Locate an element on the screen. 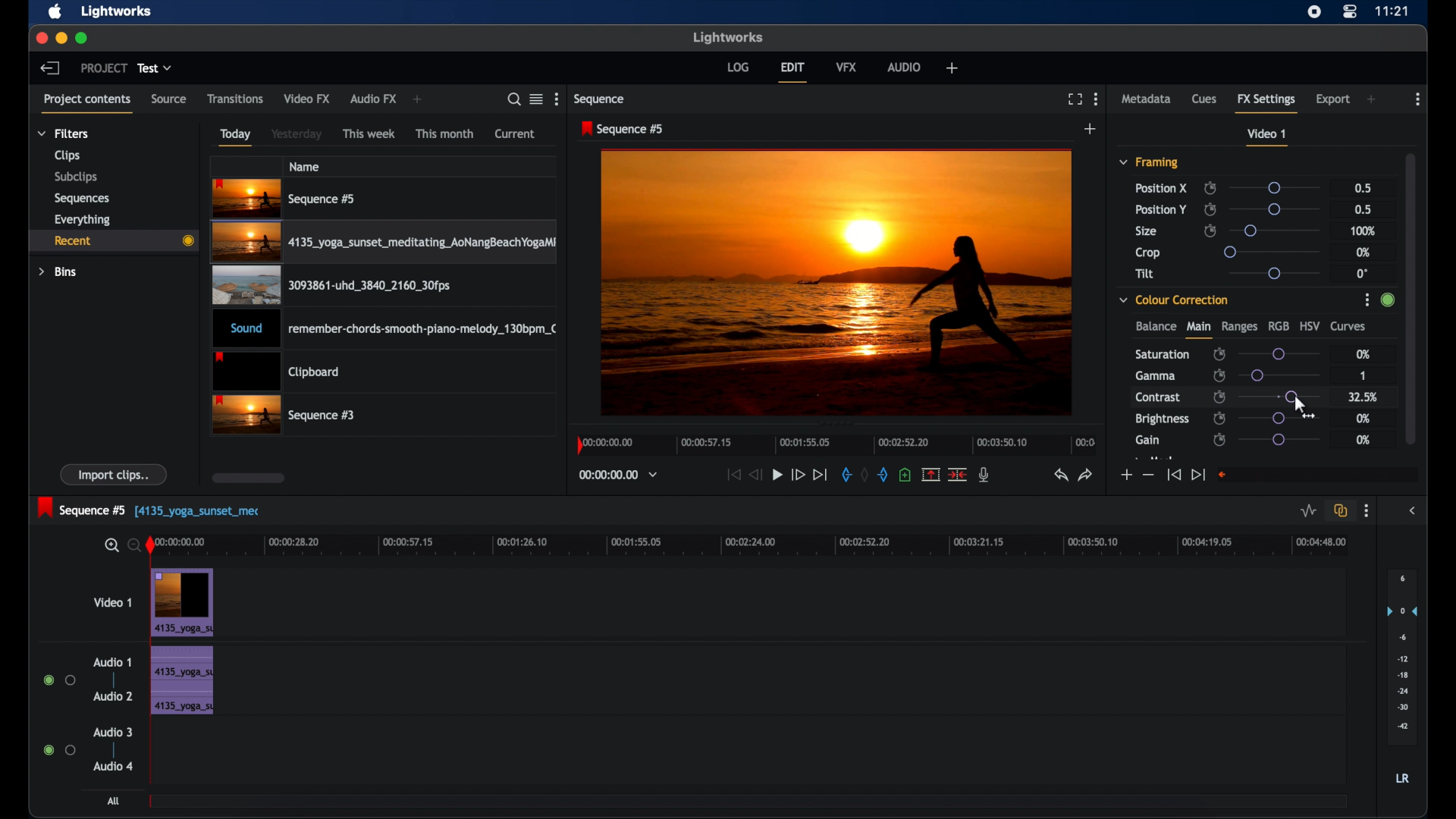 The height and width of the screenshot is (819, 1456). gain is located at coordinates (1147, 441).